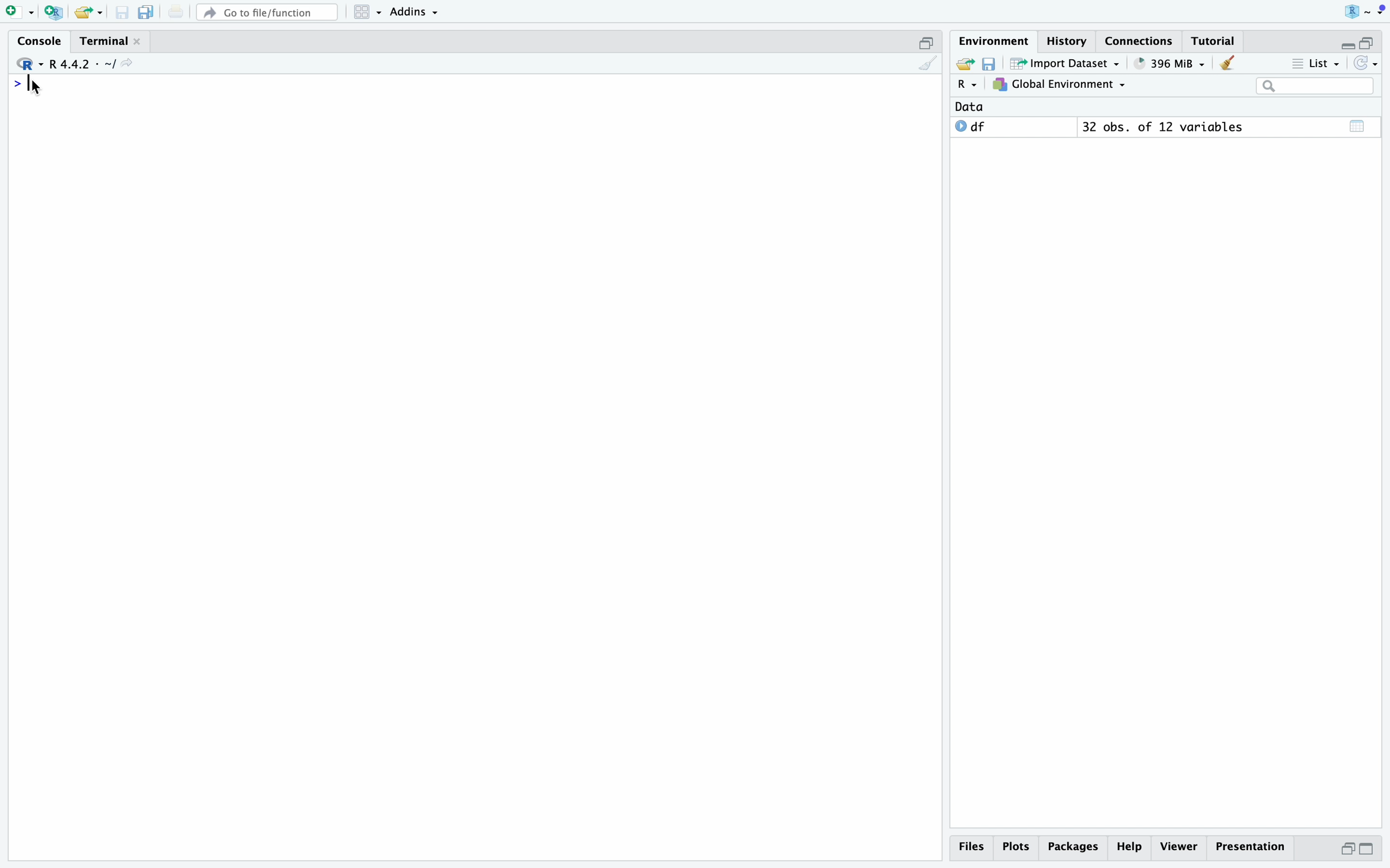 The height and width of the screenshot is (868, 1390). I want to click on terminal, so click(106, 41).